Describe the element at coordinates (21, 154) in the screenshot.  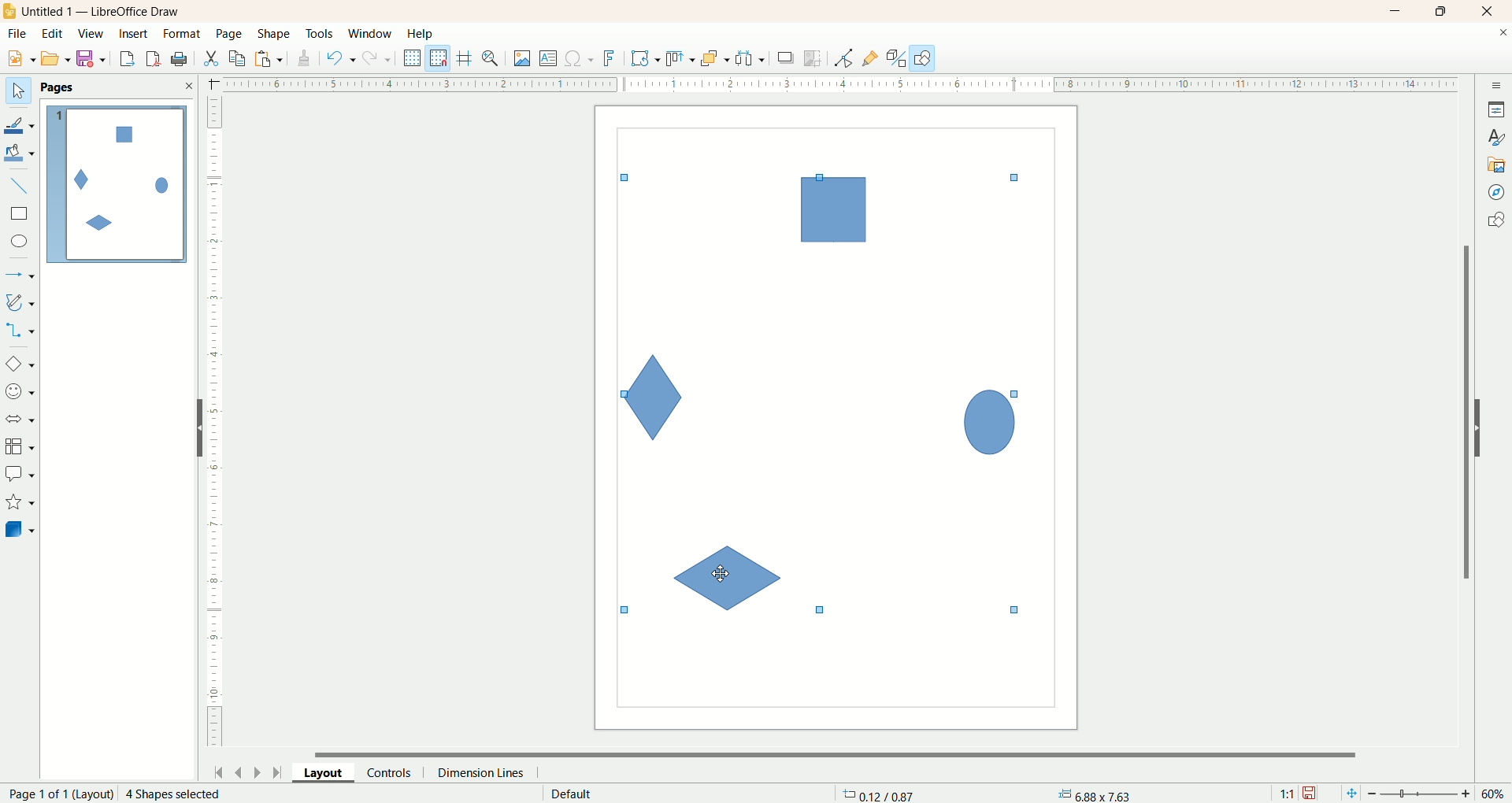
I see `fill color` at that location.